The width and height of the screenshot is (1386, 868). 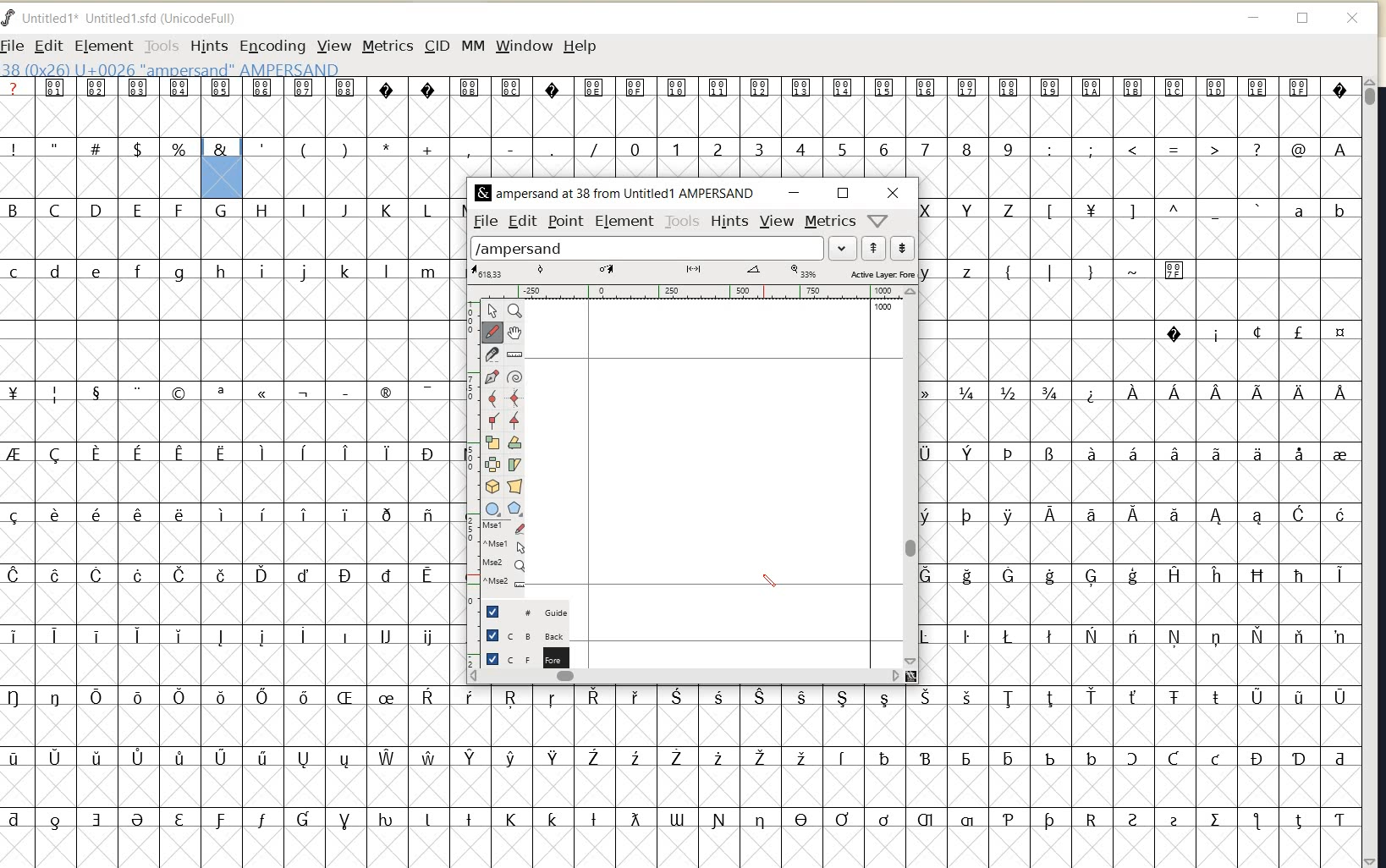 What do you see at coordinates (902, 247) in the screenshot?
I see `show next word list` at bounding box center [902, 247].